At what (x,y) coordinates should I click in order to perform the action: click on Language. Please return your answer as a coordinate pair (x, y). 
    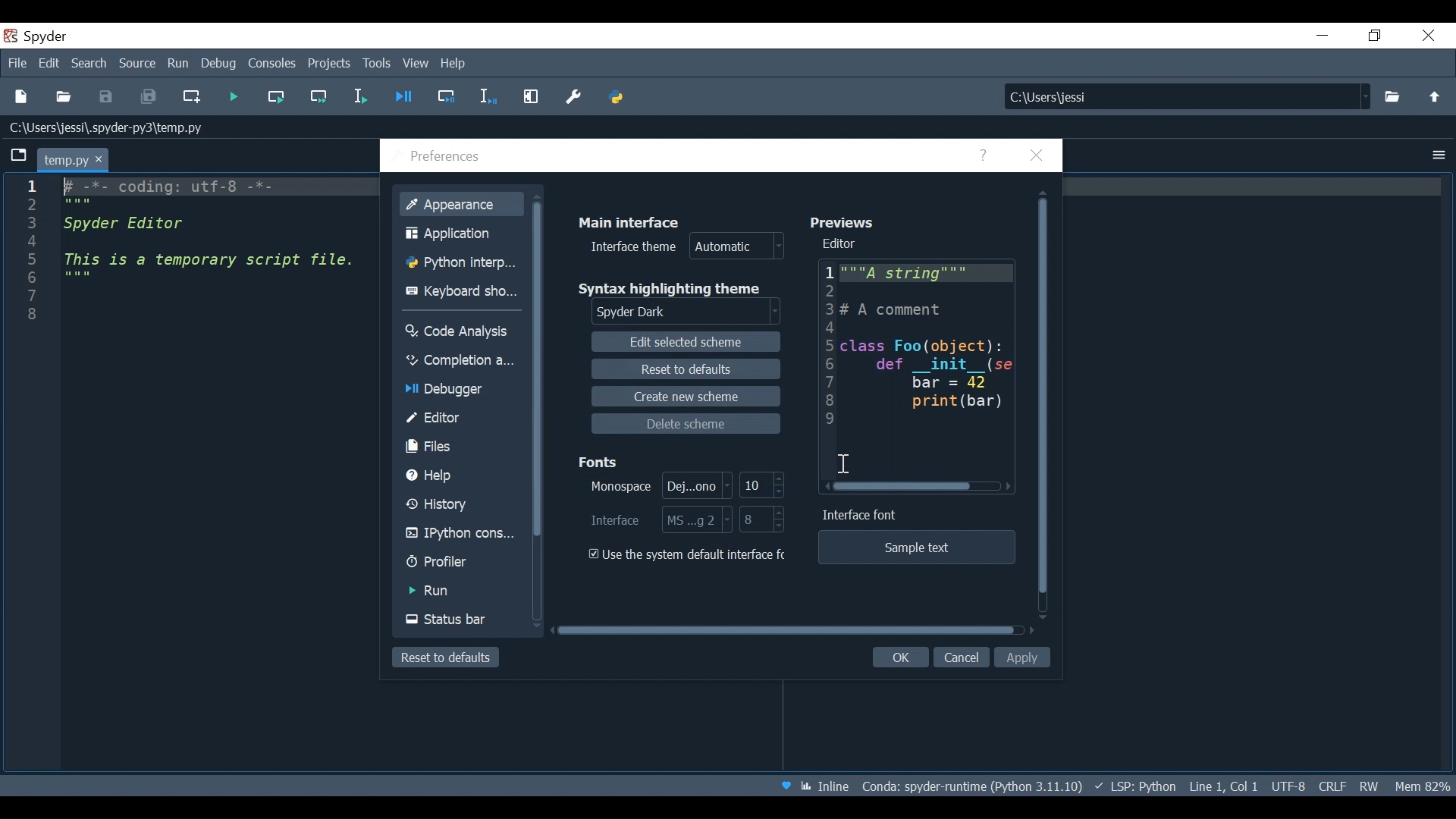
    Looking at the image, I should click on (1134, 786).